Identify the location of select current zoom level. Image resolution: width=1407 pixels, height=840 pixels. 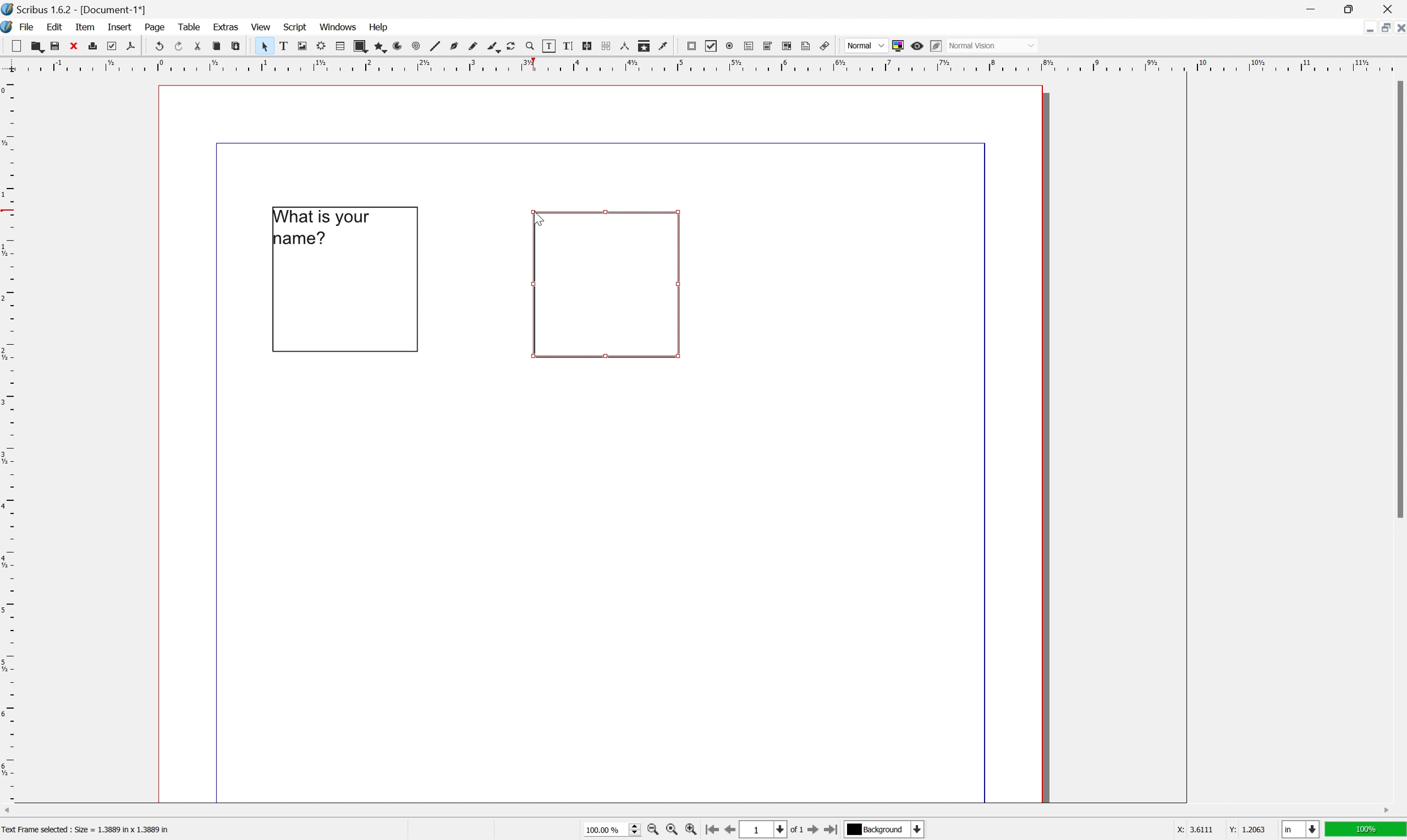
(613, 832).